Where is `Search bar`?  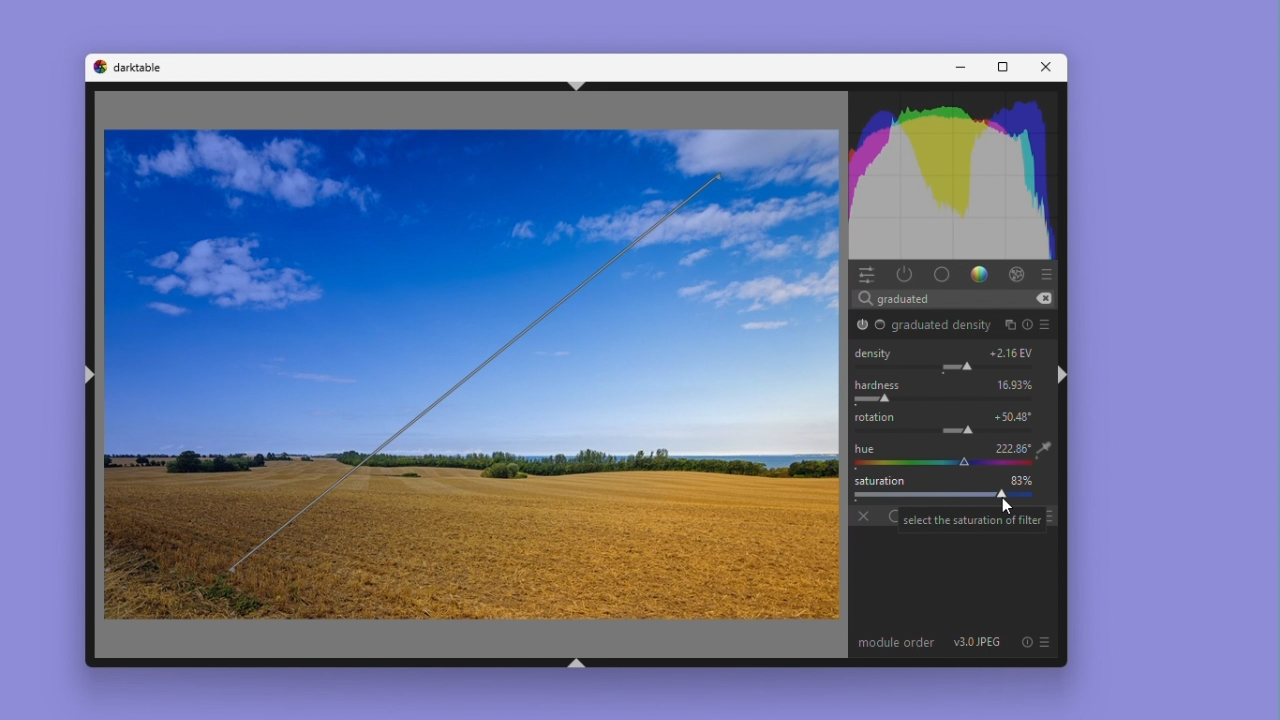 Search bar is located at coordinates (958, 297).